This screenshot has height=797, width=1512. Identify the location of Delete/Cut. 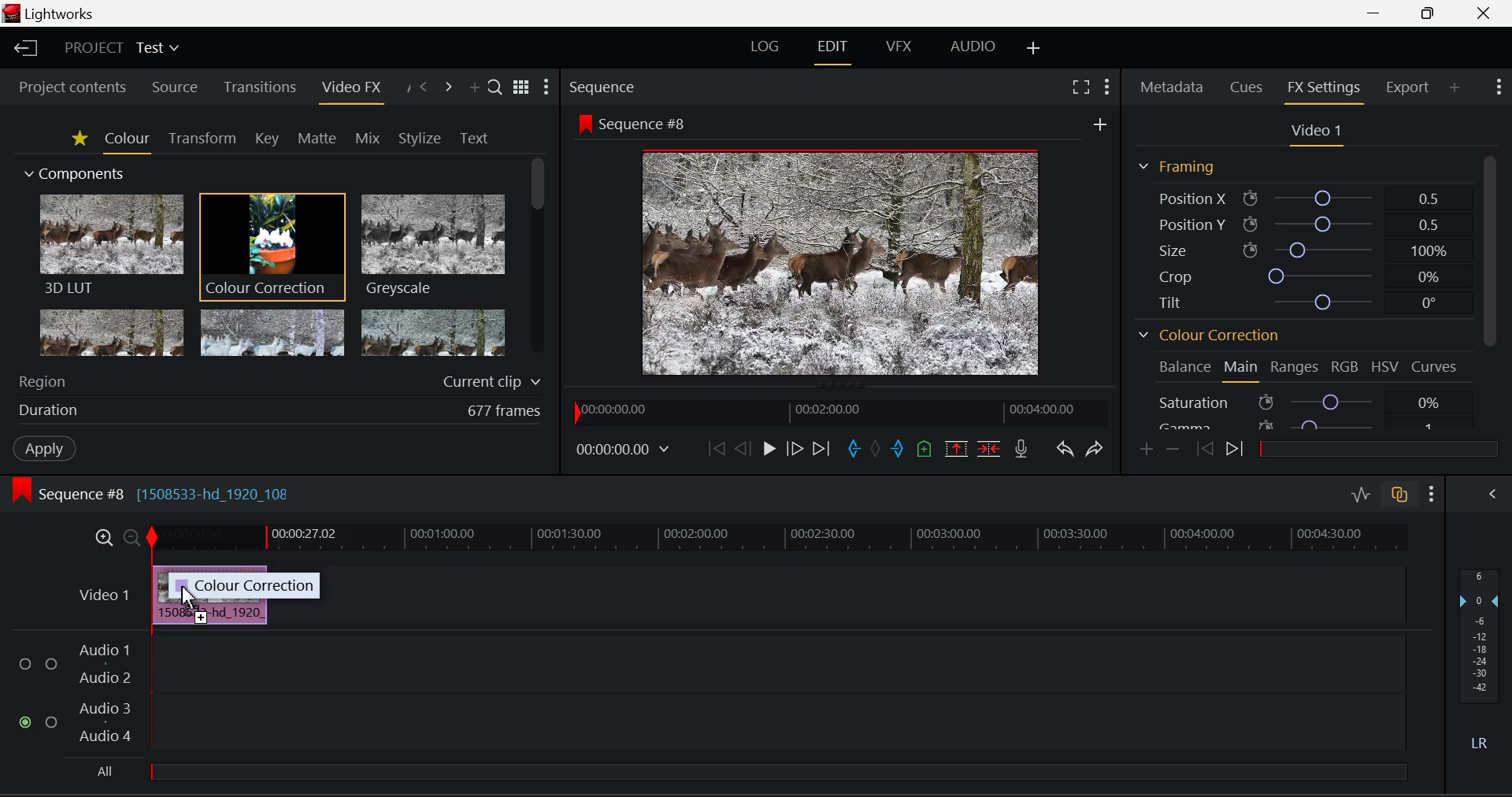
(991, 449).